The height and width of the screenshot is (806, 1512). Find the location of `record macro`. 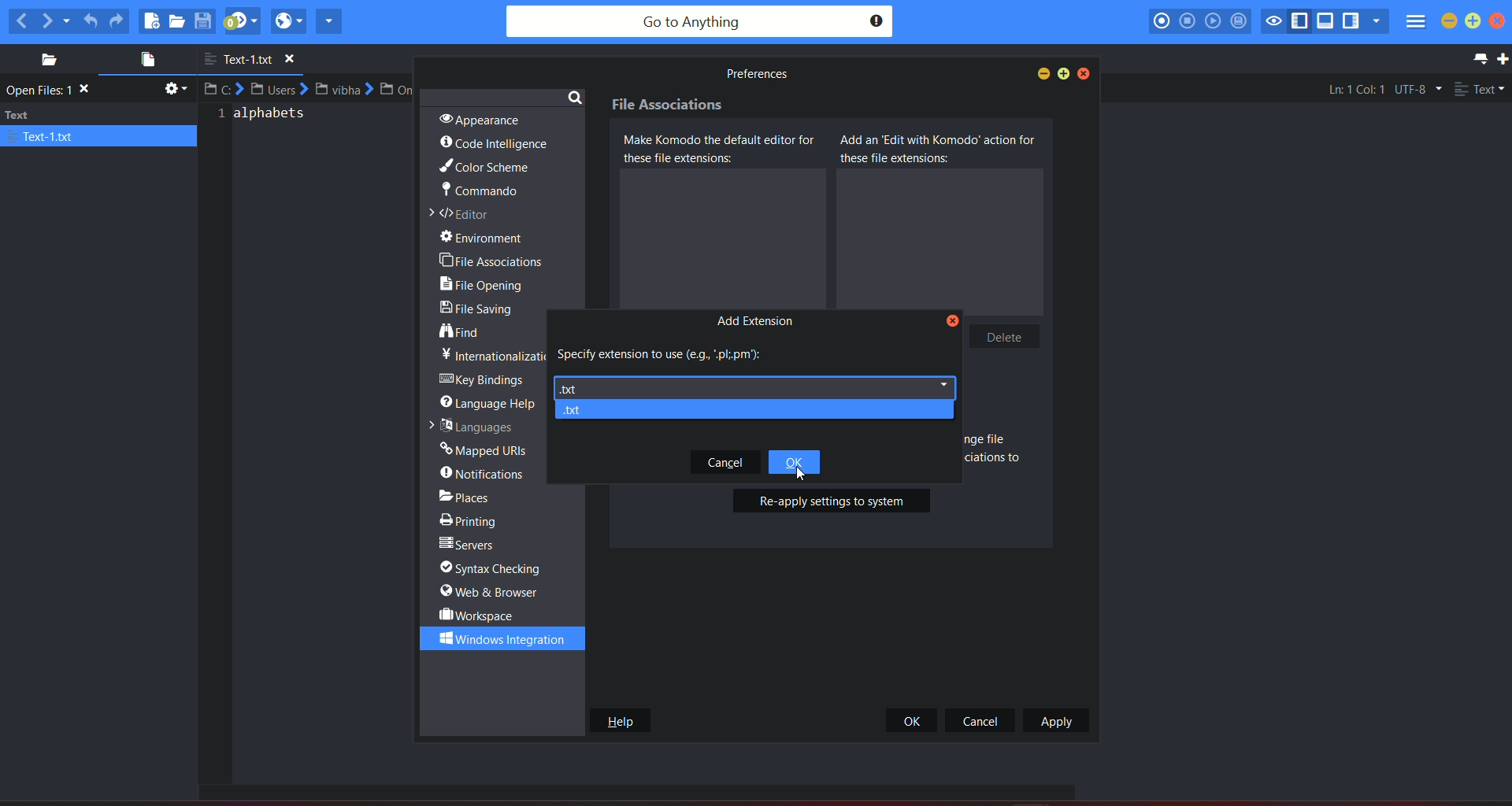

record macro is located at coordinates (1162, 20).